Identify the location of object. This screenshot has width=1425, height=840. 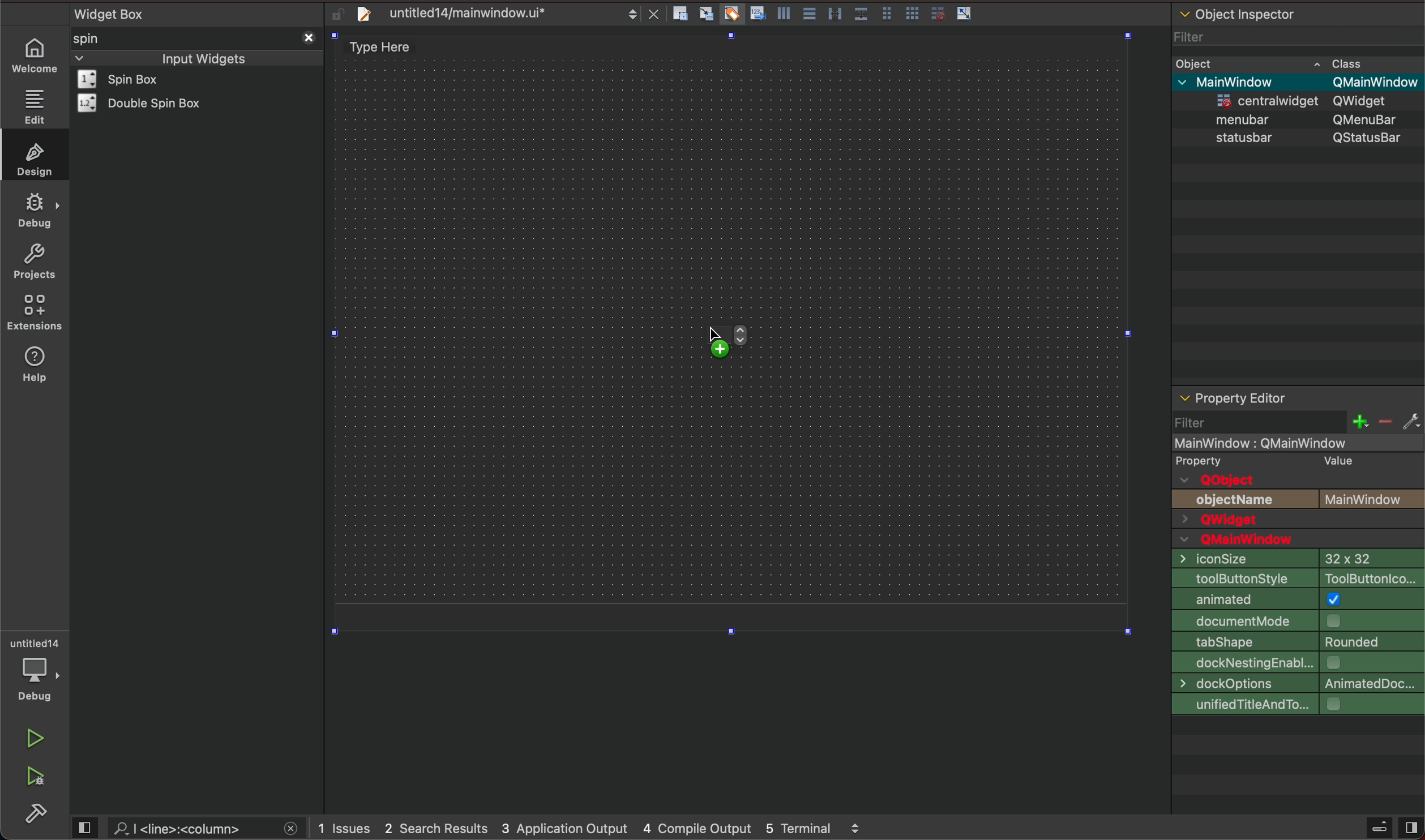
(1198, 62).